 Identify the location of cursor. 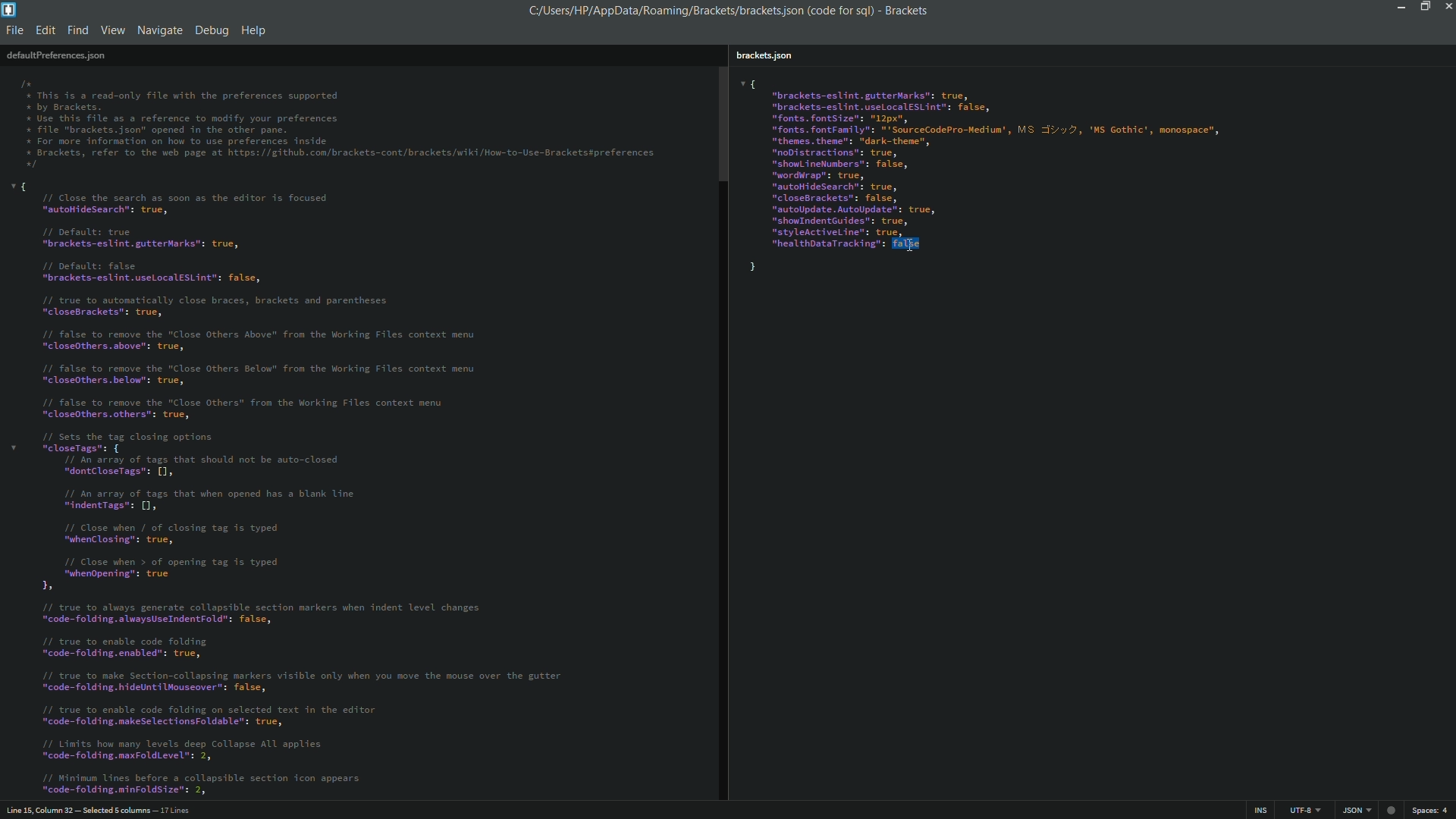
(915, 246).